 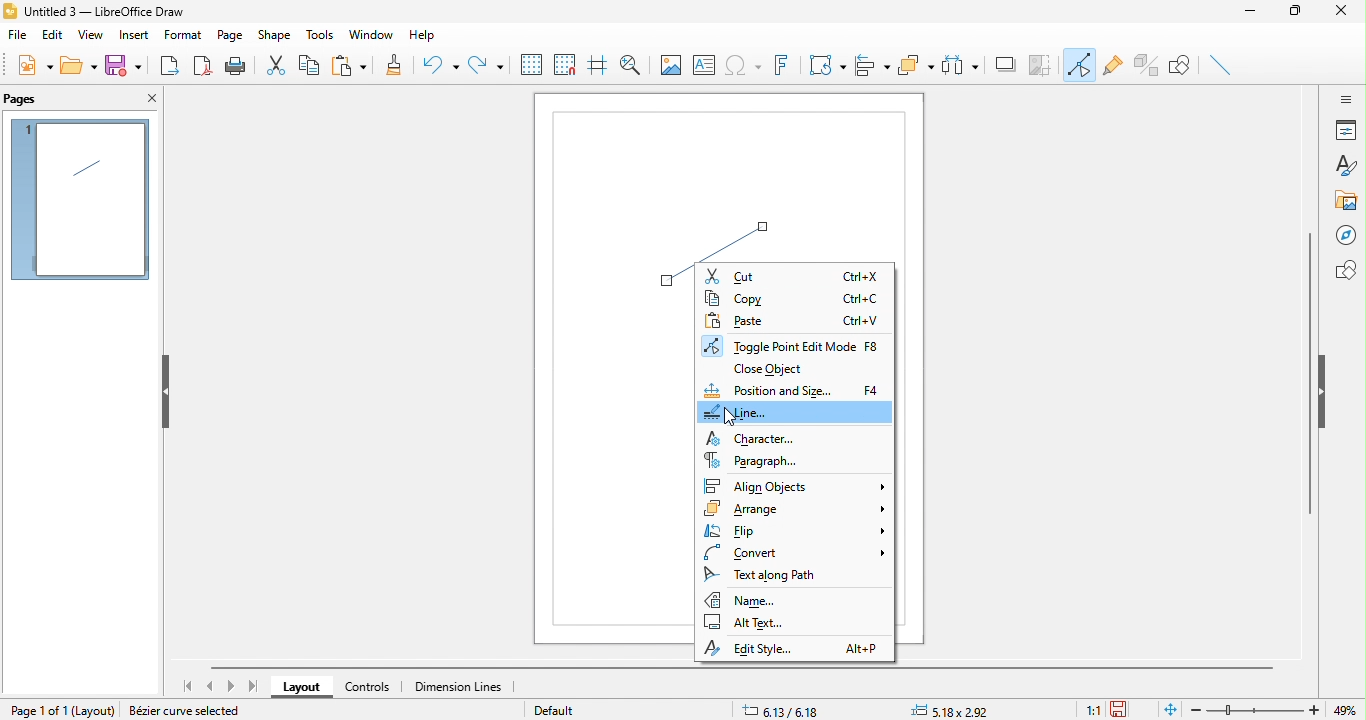 What do you see at coordinates (827, 65) in the screenshot?
I see `transformation` at bounding box center [827, 65].